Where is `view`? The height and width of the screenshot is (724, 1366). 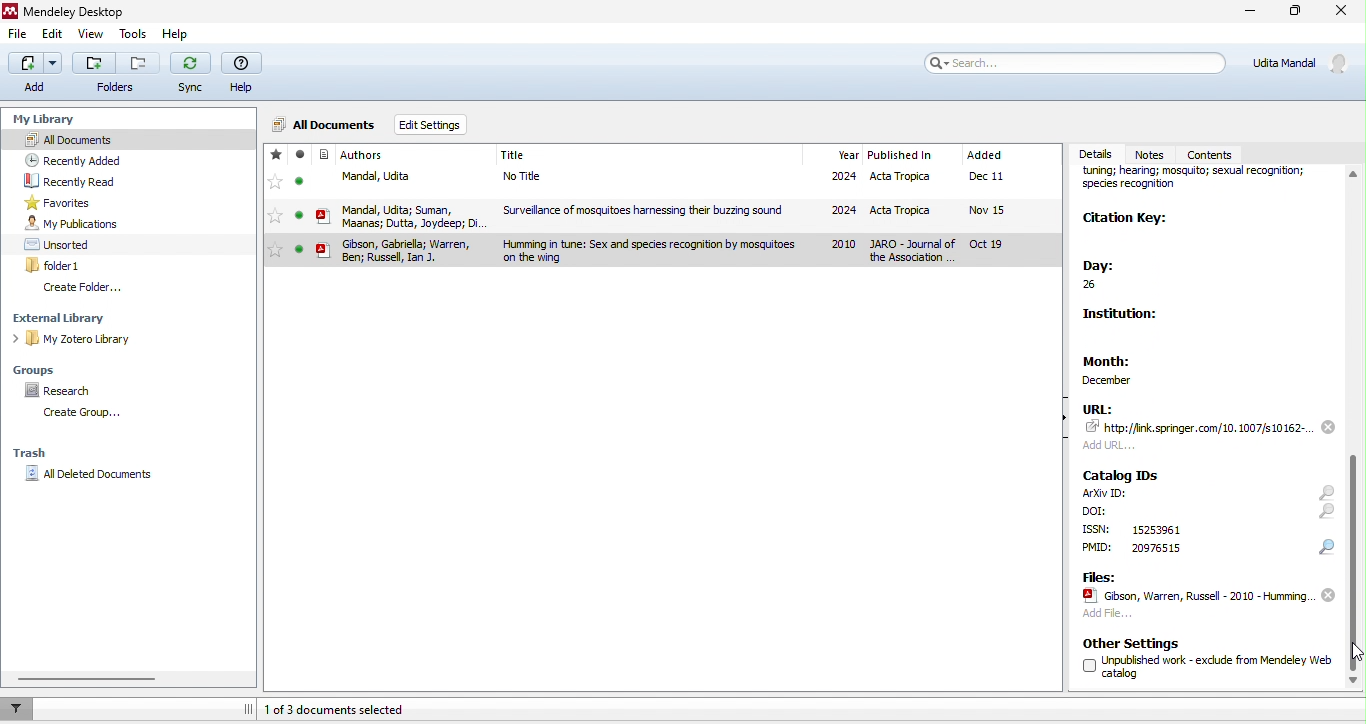
view is located at coordinates (91, 36).